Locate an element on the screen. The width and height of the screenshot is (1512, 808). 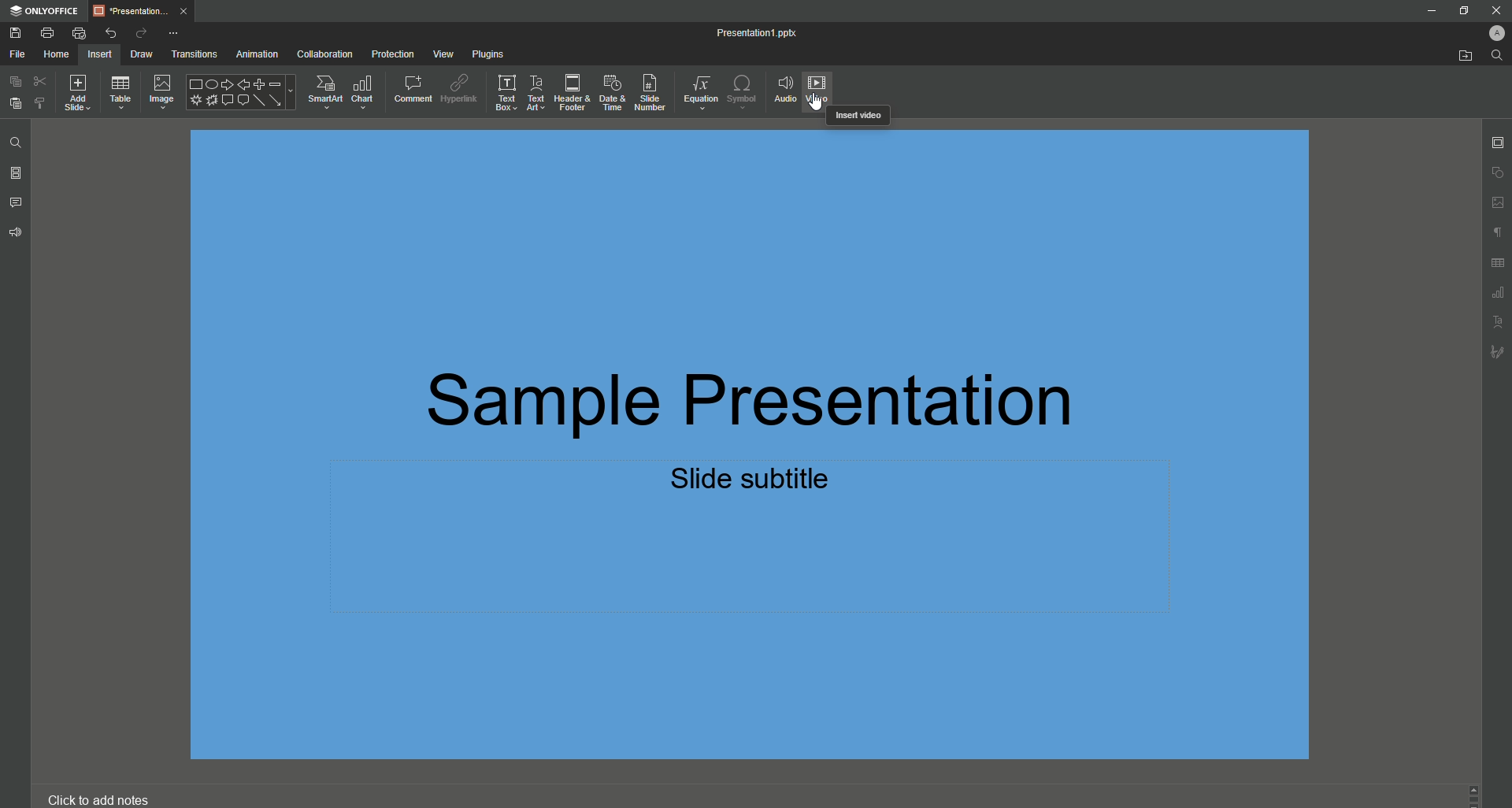
Profile is located at coordinates (1491, 32).